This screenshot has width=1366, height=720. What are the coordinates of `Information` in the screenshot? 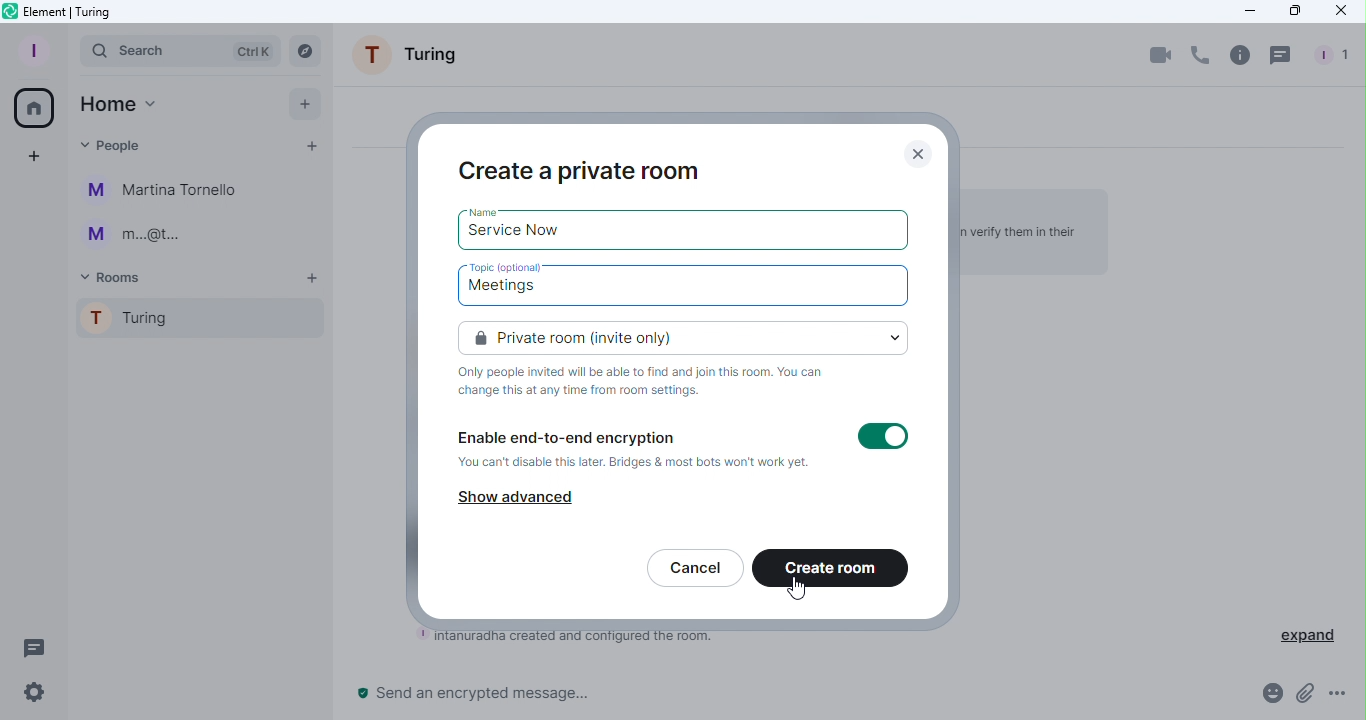 It's located at (650, 382).